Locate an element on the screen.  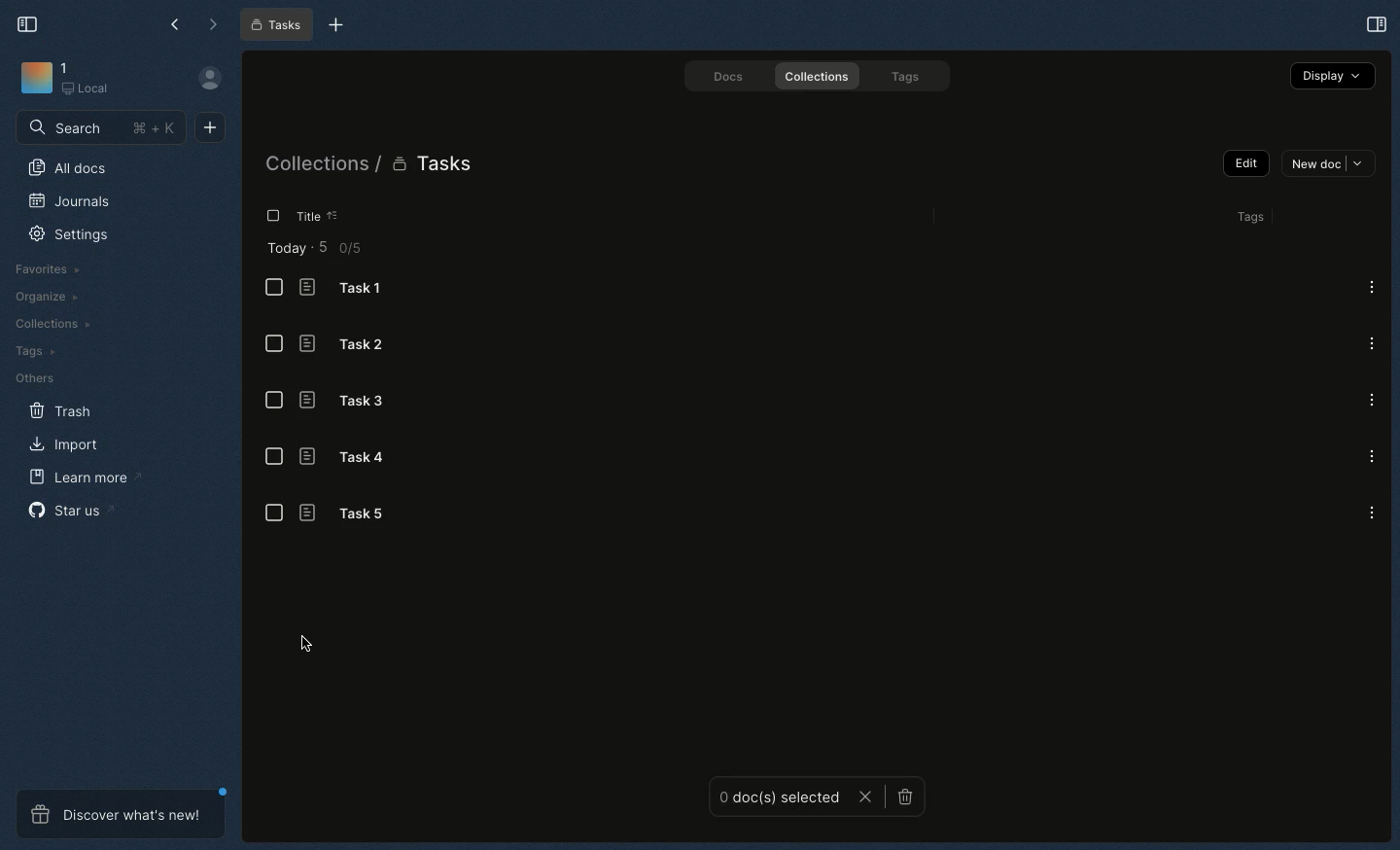
List view is located at coordinates (276, 288).